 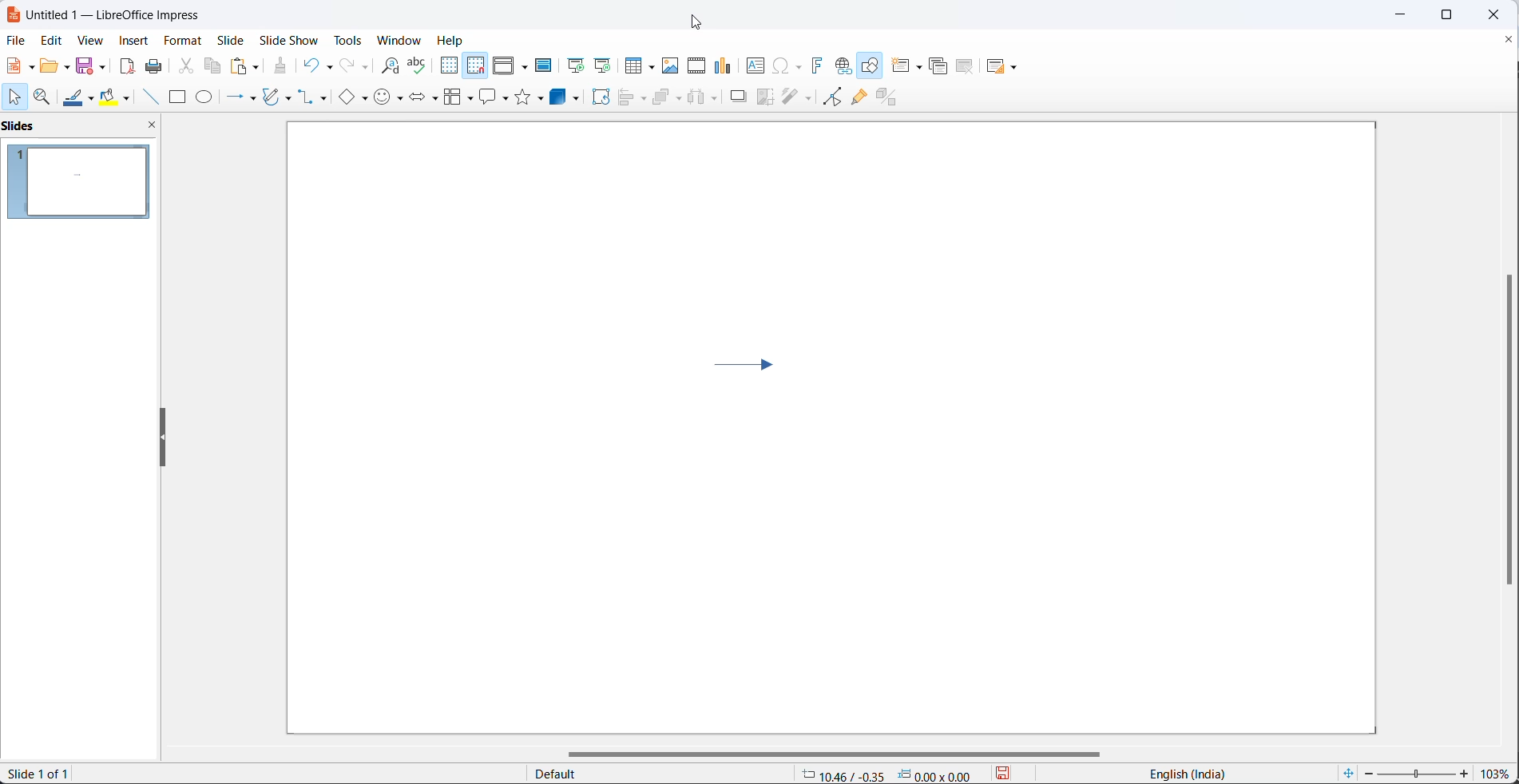 I want to click on insert images, so click(x=672, y=66).